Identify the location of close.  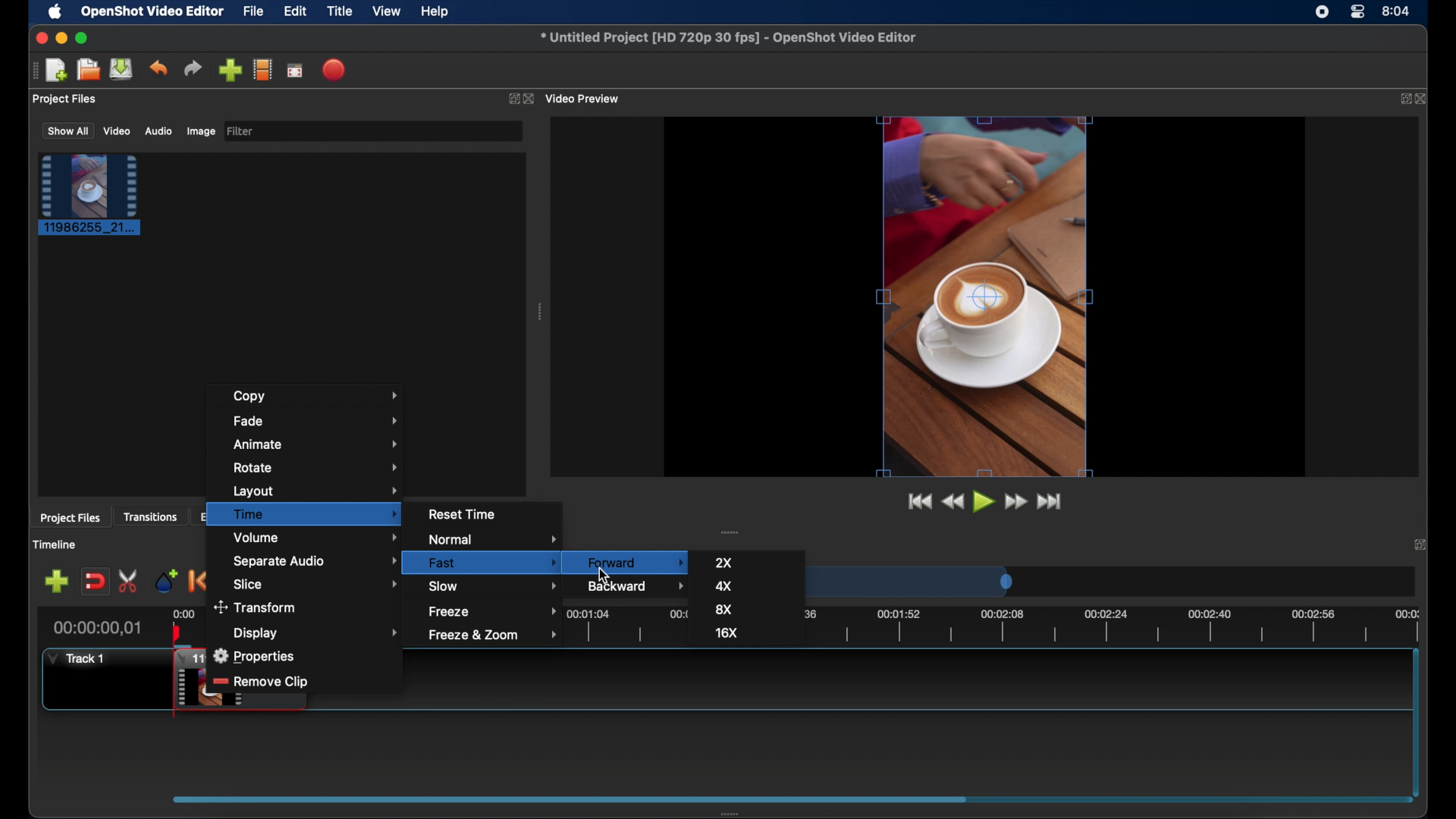
(529, 99).